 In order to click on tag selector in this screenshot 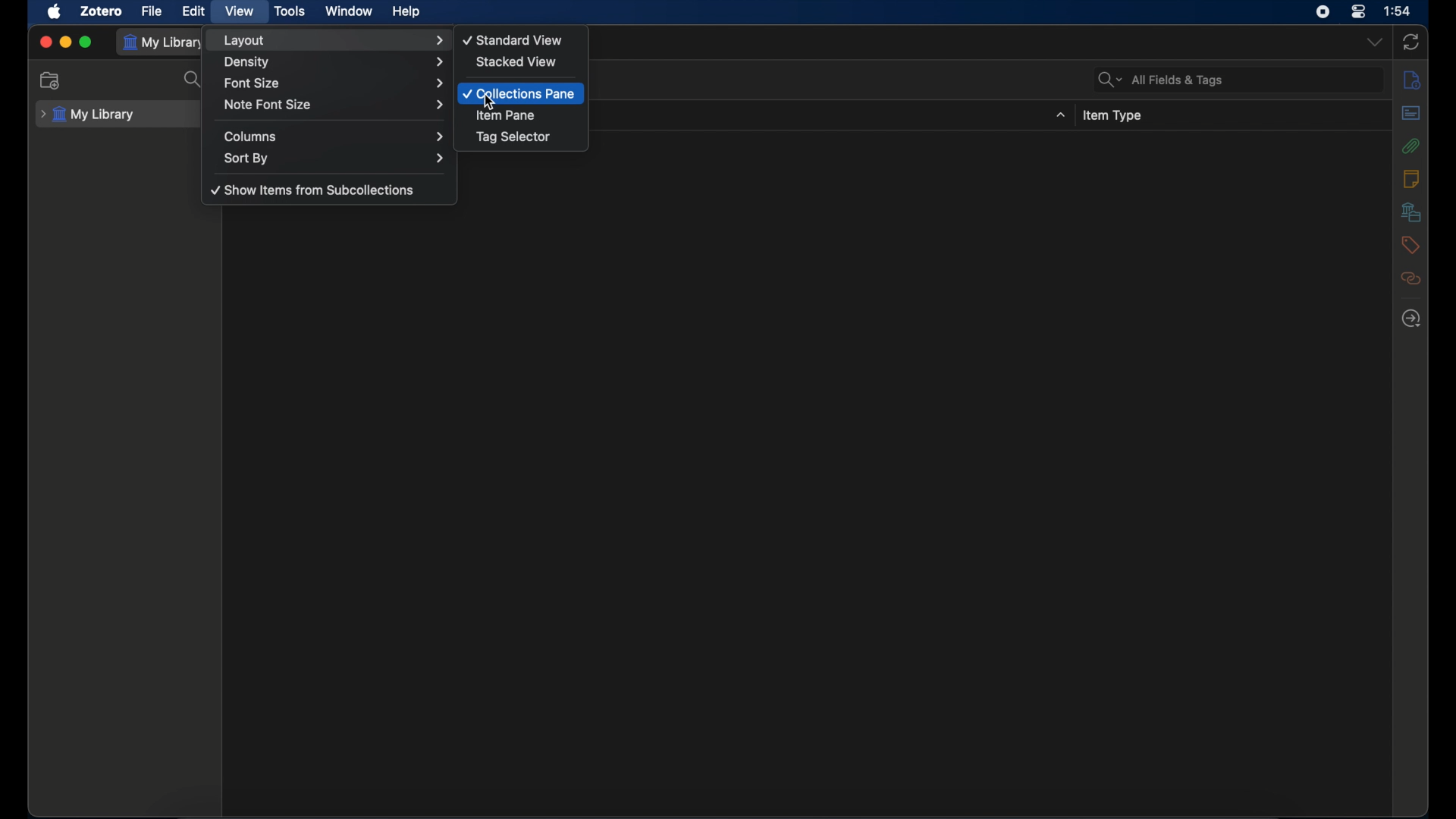, I will do `click(514, 137)`.